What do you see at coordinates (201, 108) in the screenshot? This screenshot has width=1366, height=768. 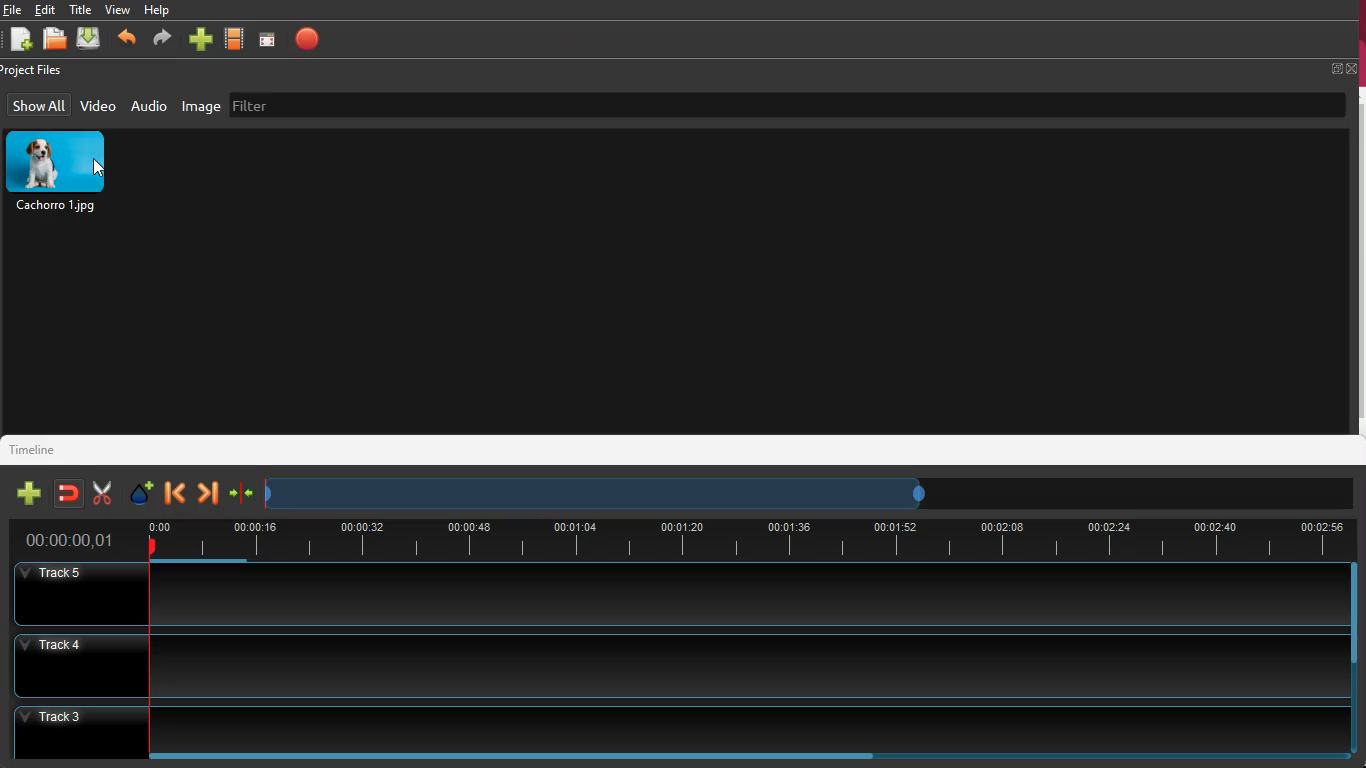 I see `image` at bounding box center [201, 108].